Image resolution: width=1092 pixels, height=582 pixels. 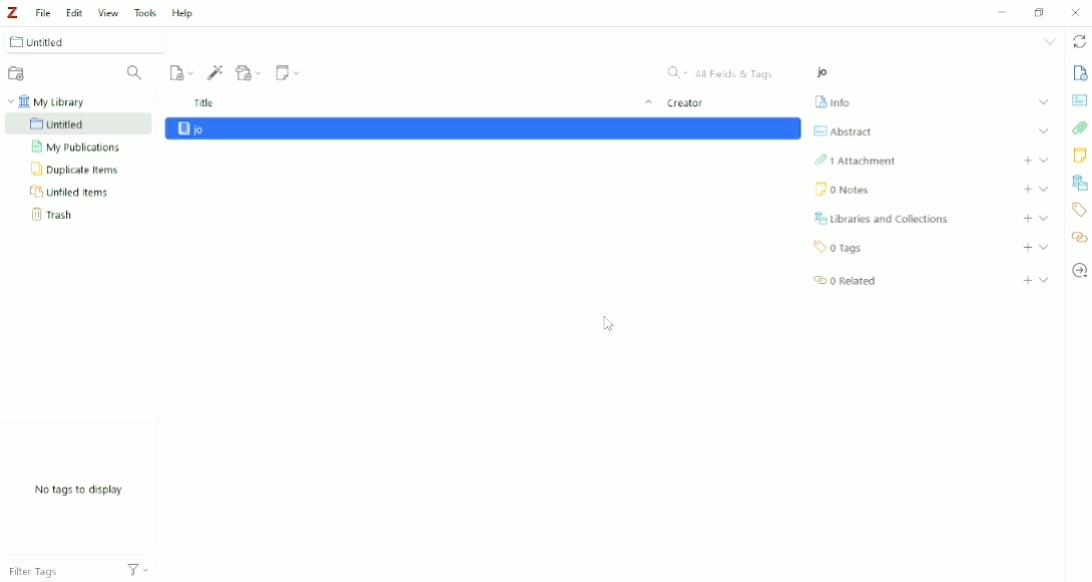 I want to click on jo, so click(x=212, y=128).